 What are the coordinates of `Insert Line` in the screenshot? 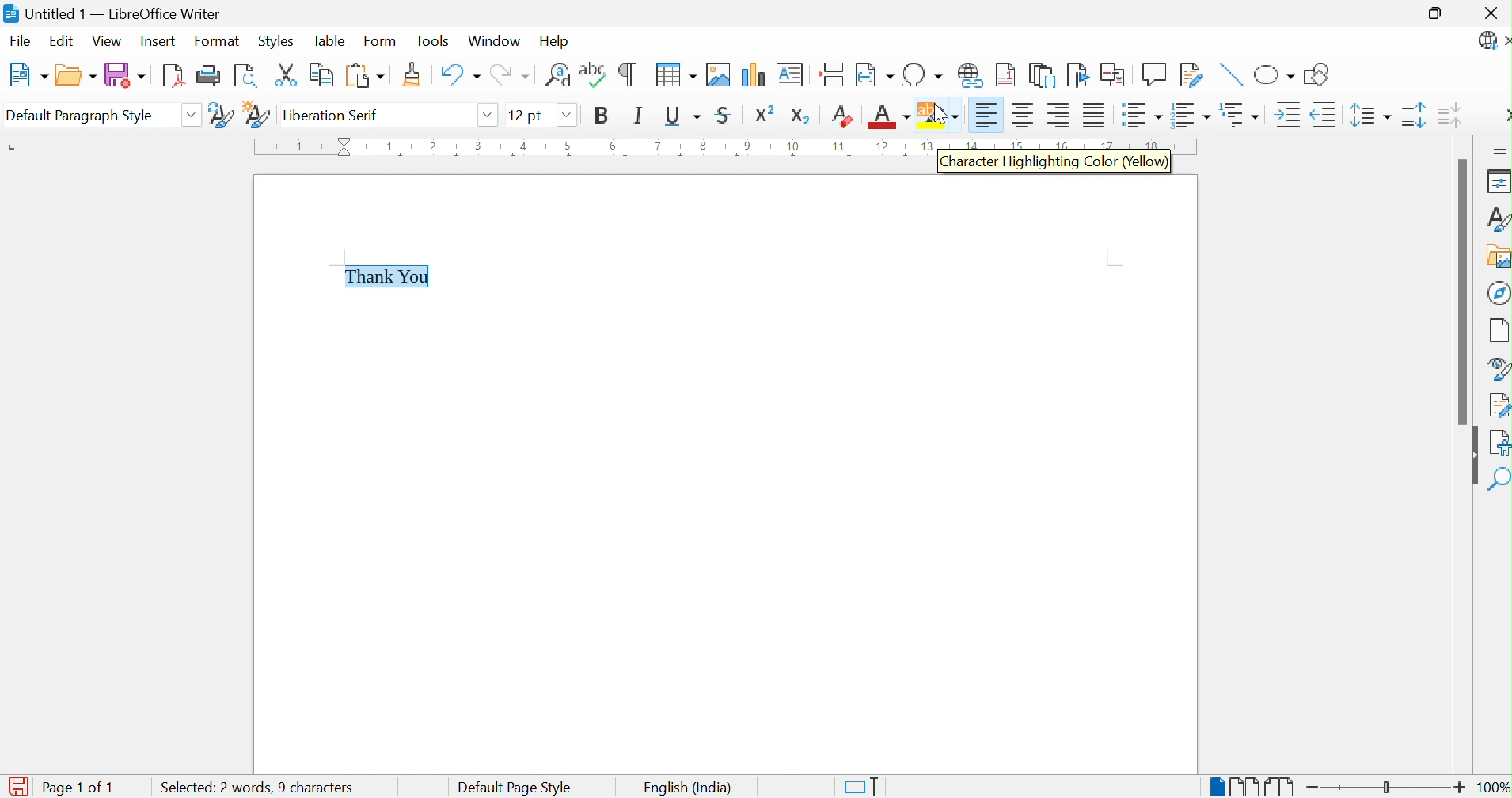 It's located at (1229, 74).